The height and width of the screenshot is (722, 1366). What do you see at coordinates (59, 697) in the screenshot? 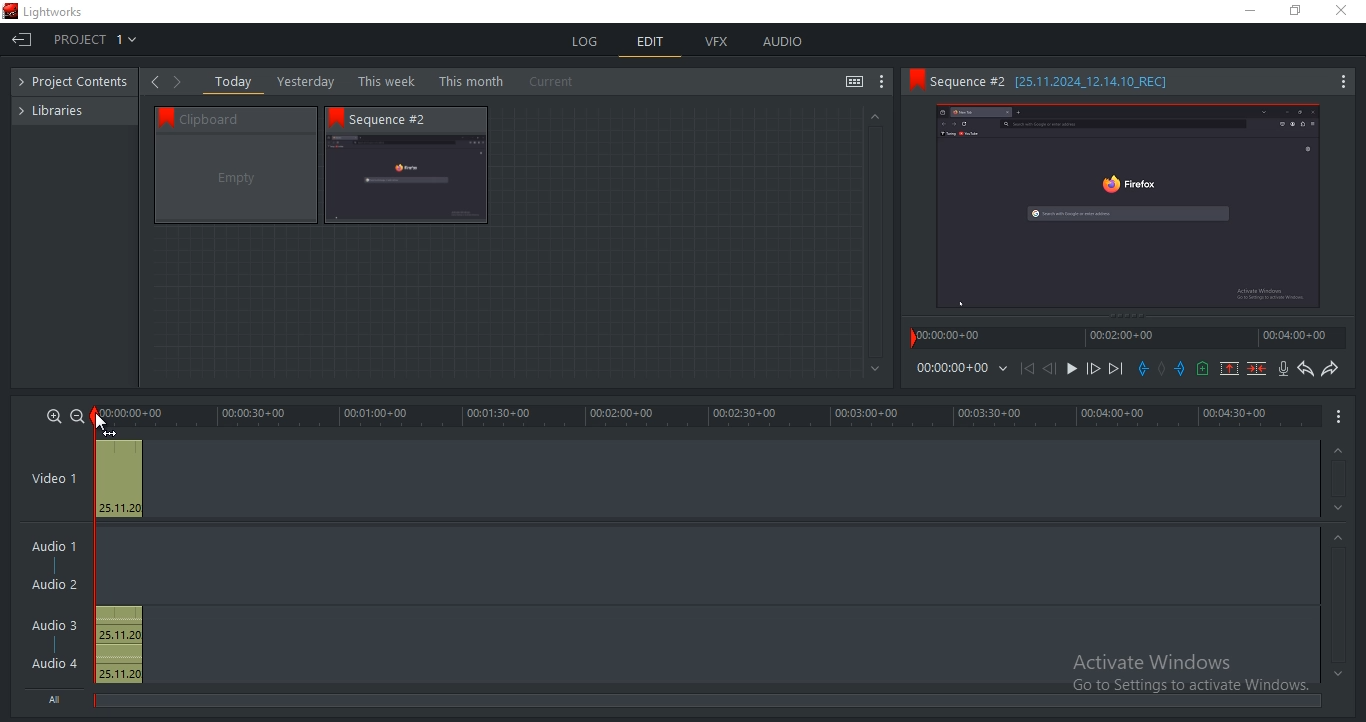
I see `All` at bounding box center [59, 697].